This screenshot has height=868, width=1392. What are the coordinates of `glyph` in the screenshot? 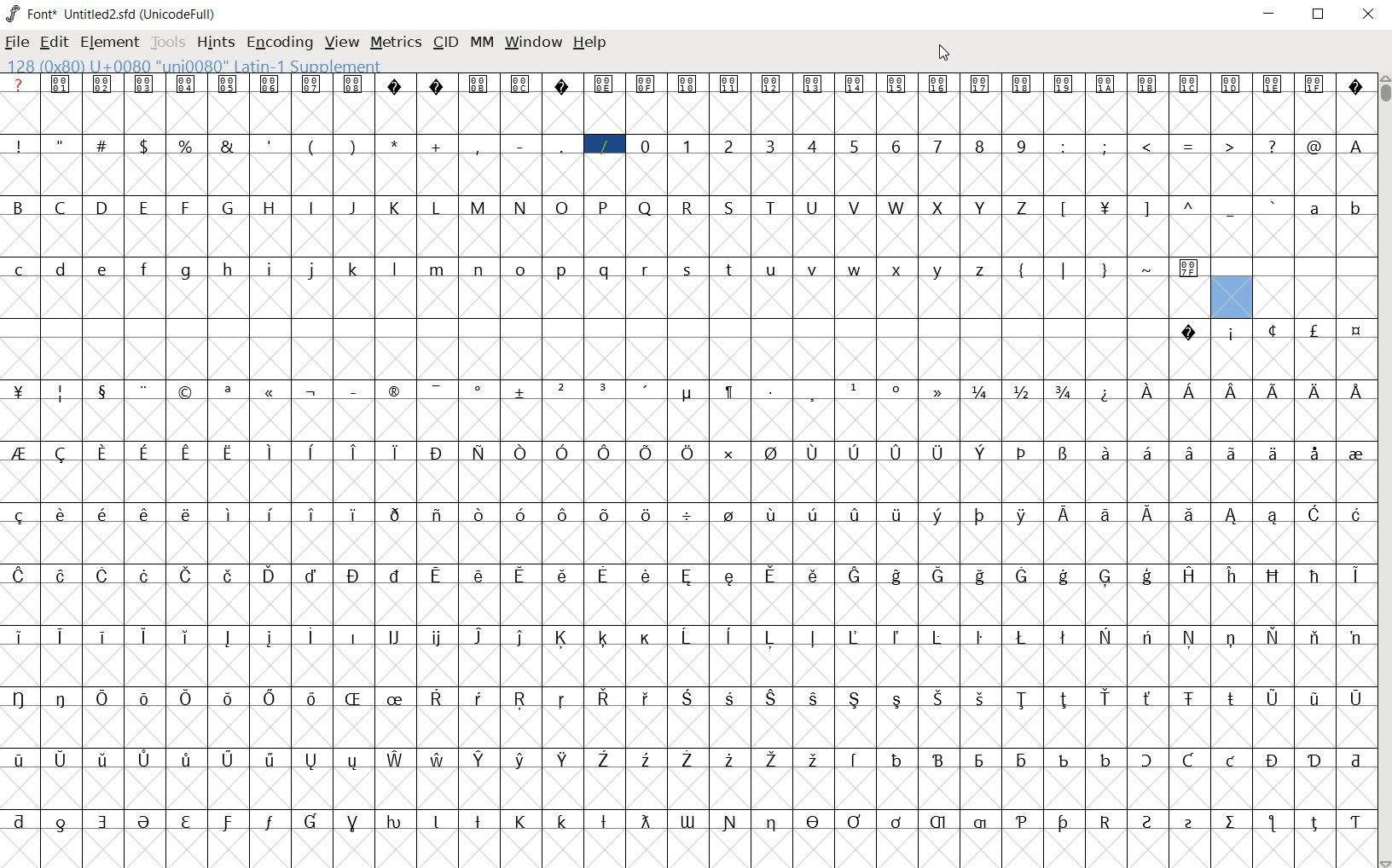 It's located at (60, 207).